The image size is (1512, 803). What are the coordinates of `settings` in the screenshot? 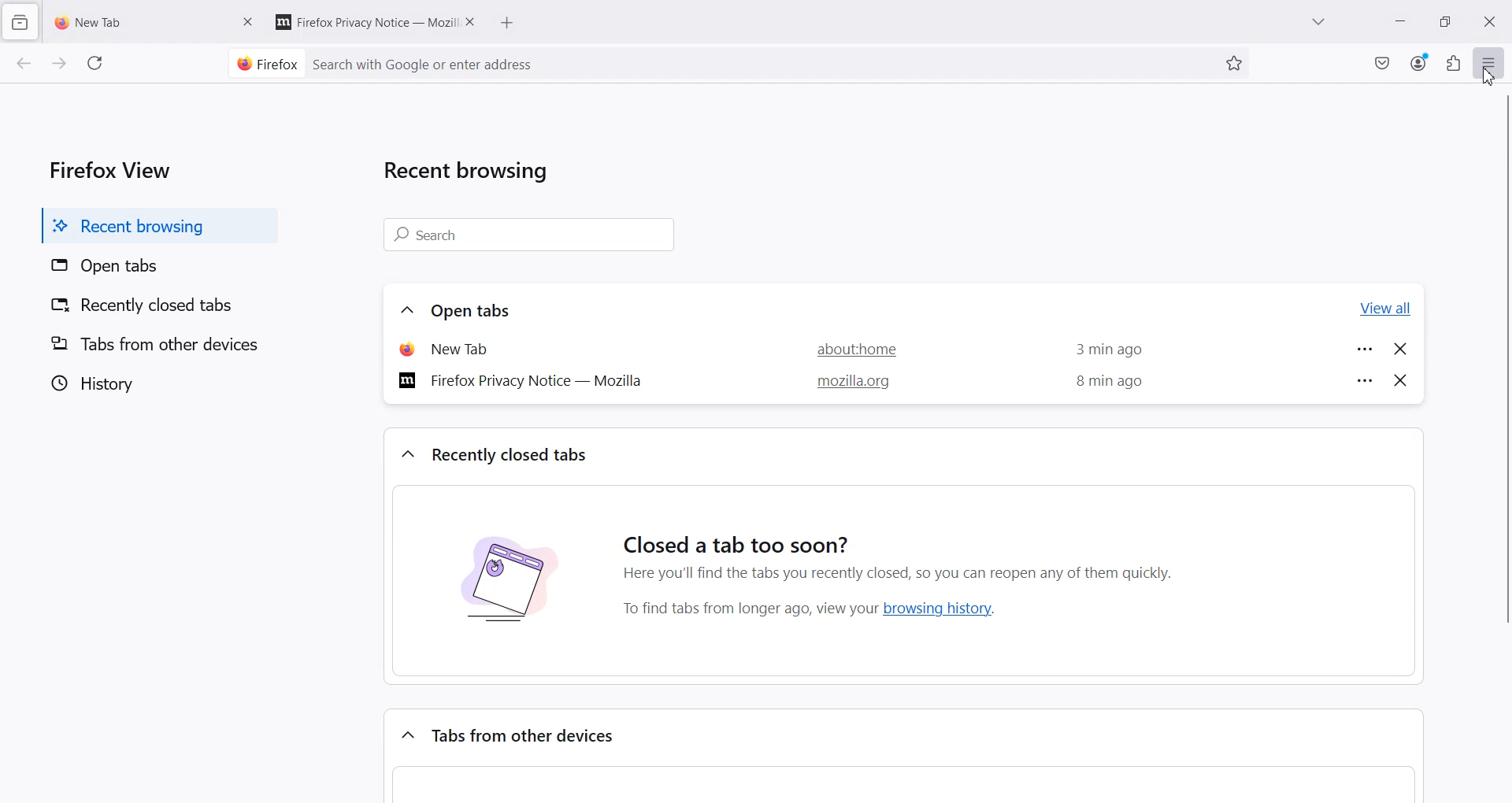 It's located at (1364, 348).